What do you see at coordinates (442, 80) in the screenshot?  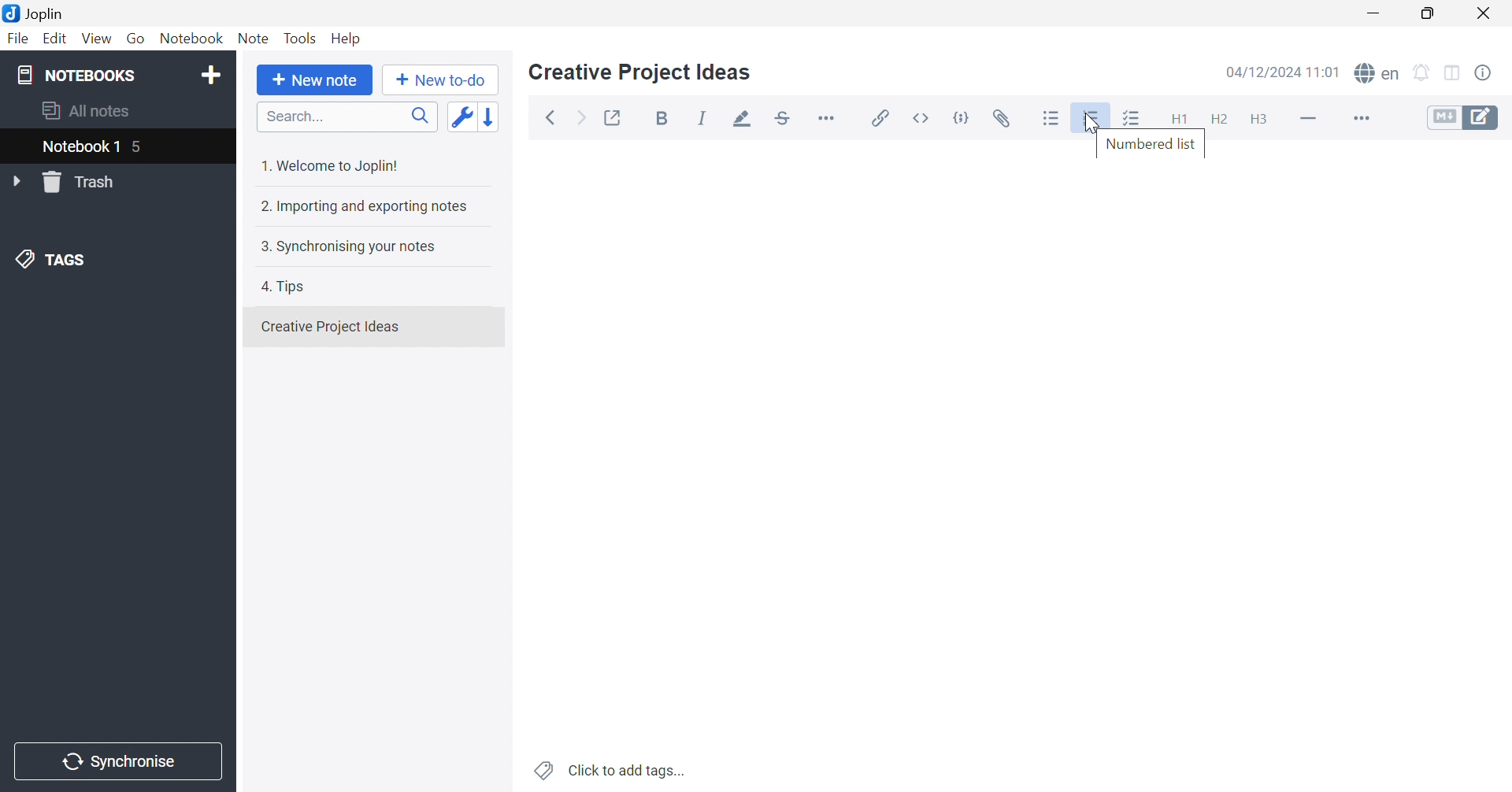 I see `New to-do` at bounding box center [442, 80].